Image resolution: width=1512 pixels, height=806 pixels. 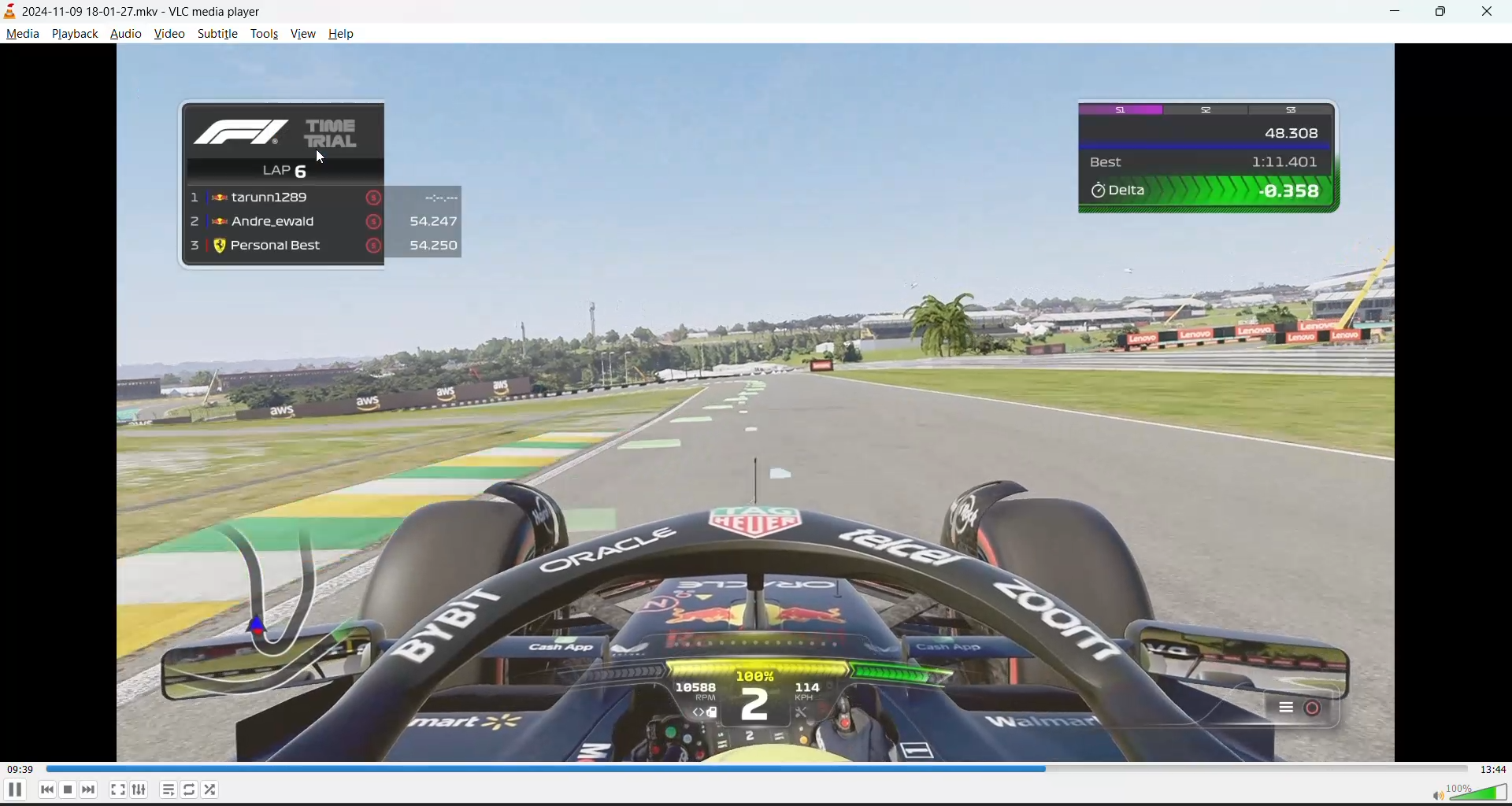 I want to click on view, so click(x=306, y=35).